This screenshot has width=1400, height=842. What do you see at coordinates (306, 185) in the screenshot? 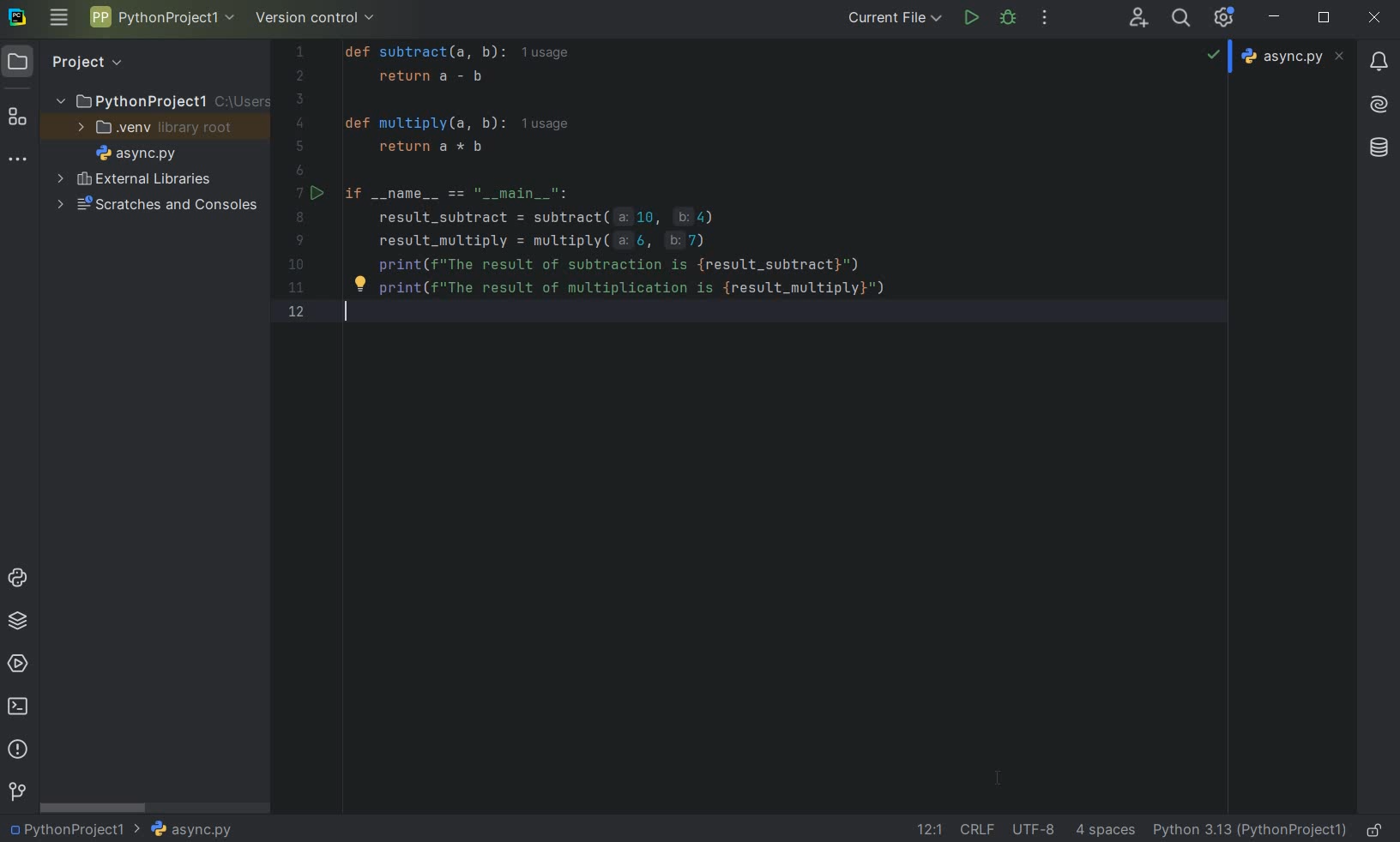
I see `line number` at bounding box center [306, 185].